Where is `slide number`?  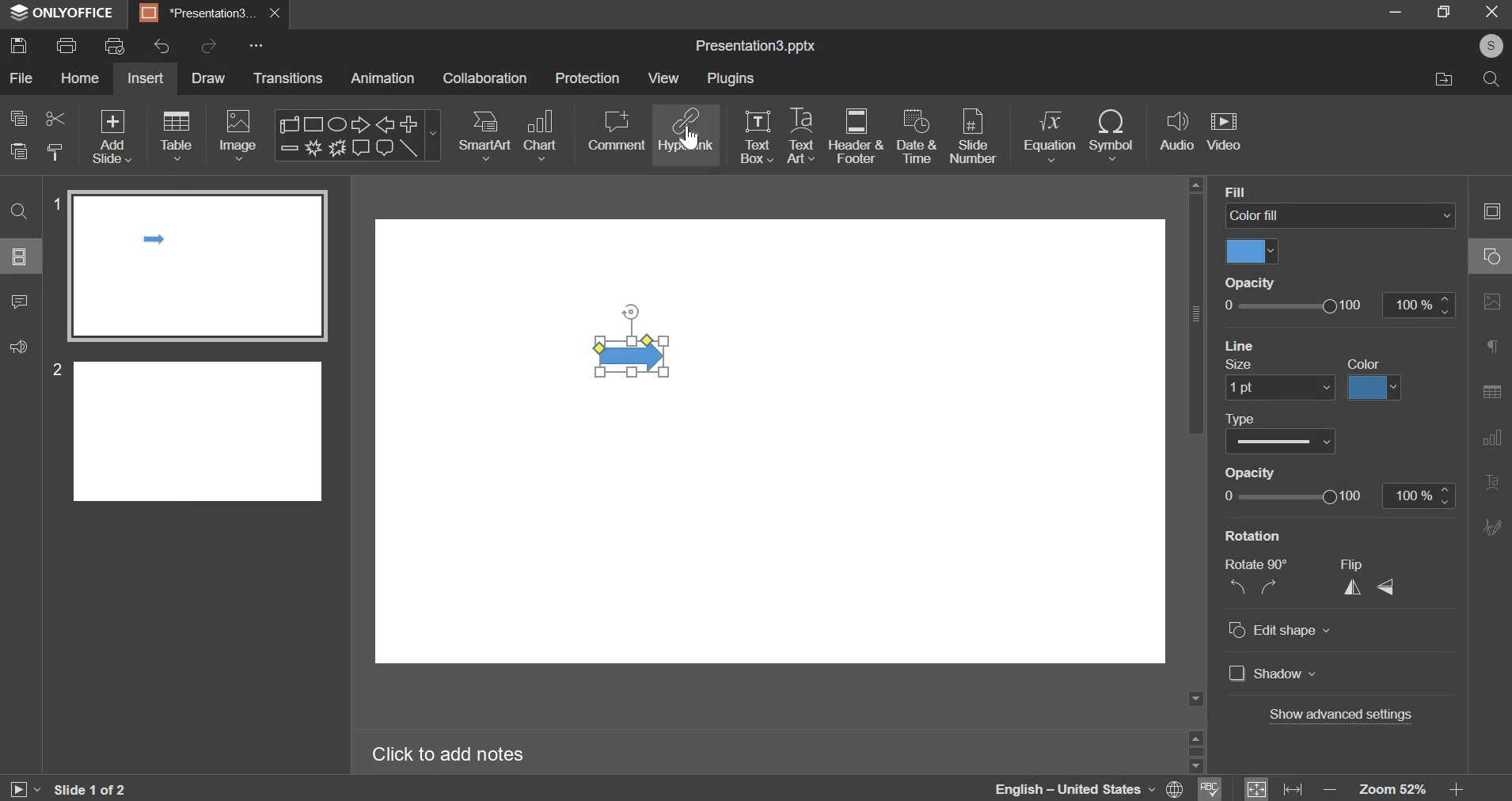 slide number is located at coordinates (973, 138).